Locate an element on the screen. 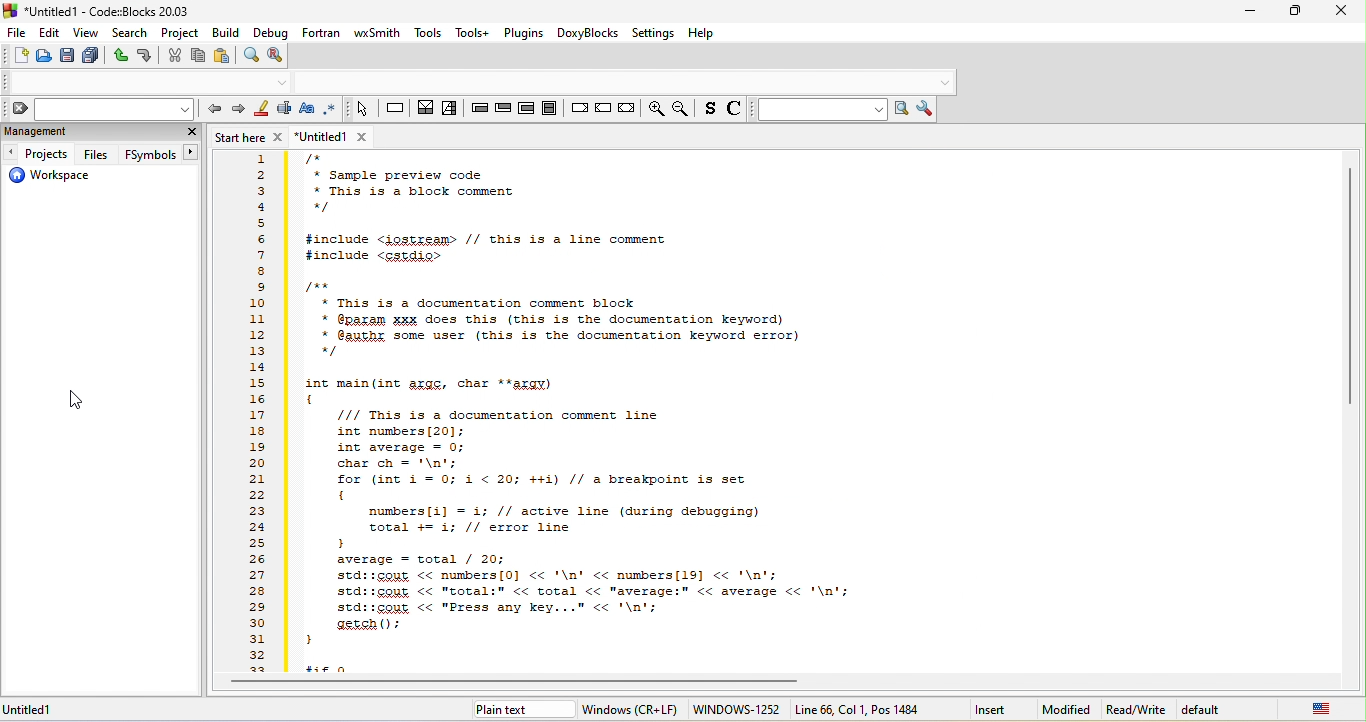 Image resolution: width=1366 pixels, height=722 pixels. next is located at coordinates (237, 112).